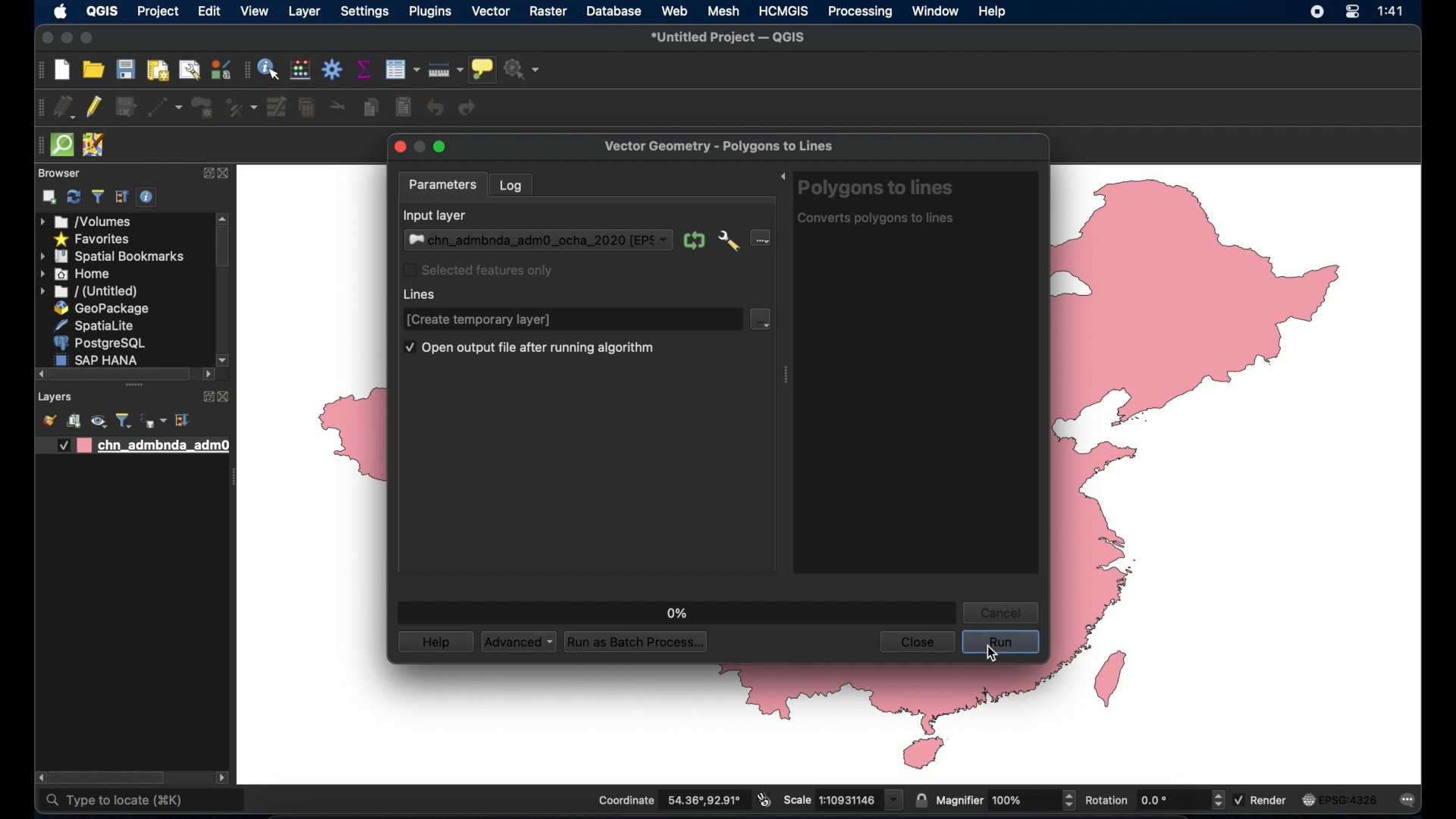  I want to click on show map tips, so click(483, 70).